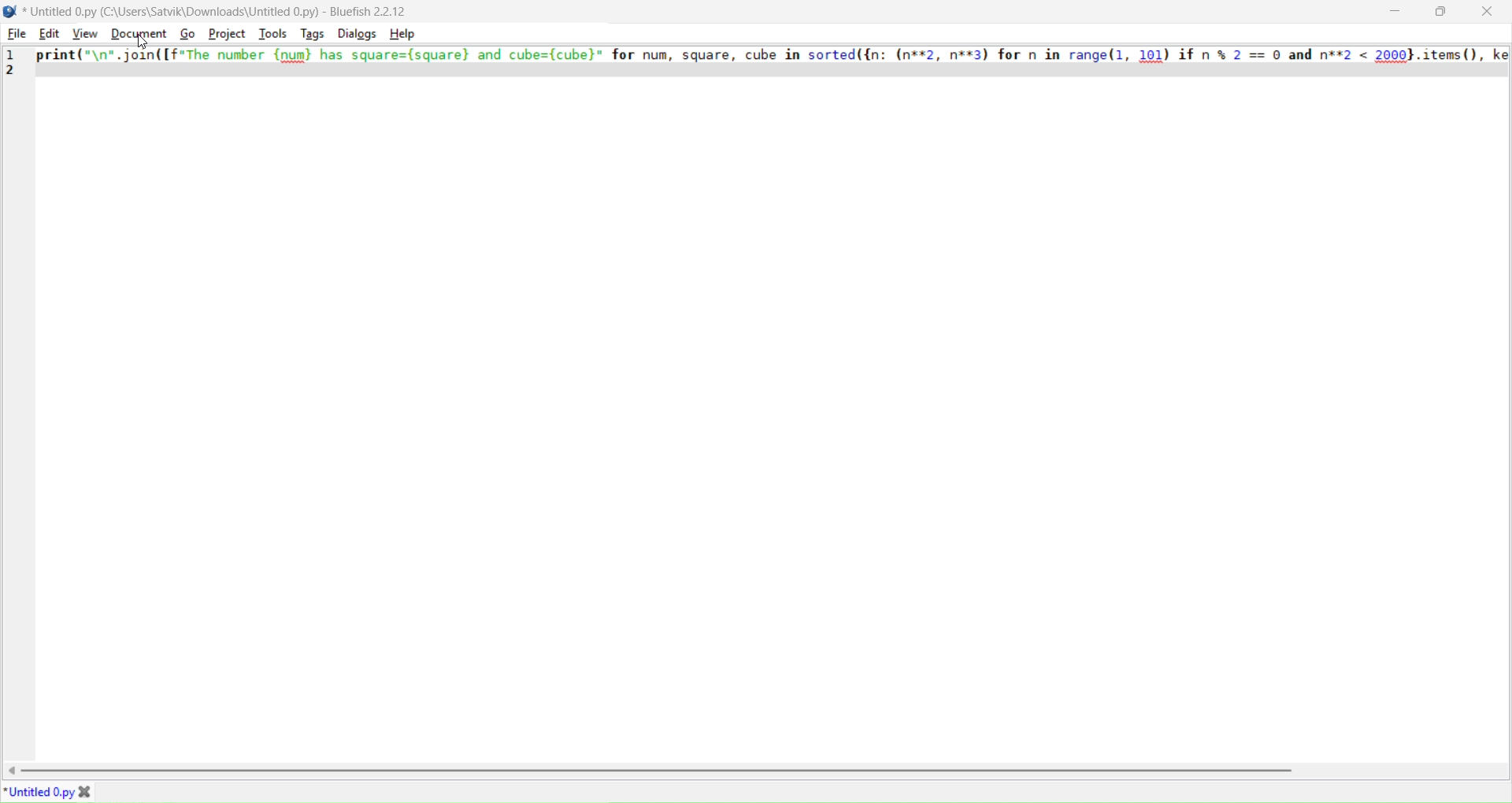  What do you see at coordinates (1395, 10) in the screenshot?
I see `minimize` at bounding box center [1395, 10].